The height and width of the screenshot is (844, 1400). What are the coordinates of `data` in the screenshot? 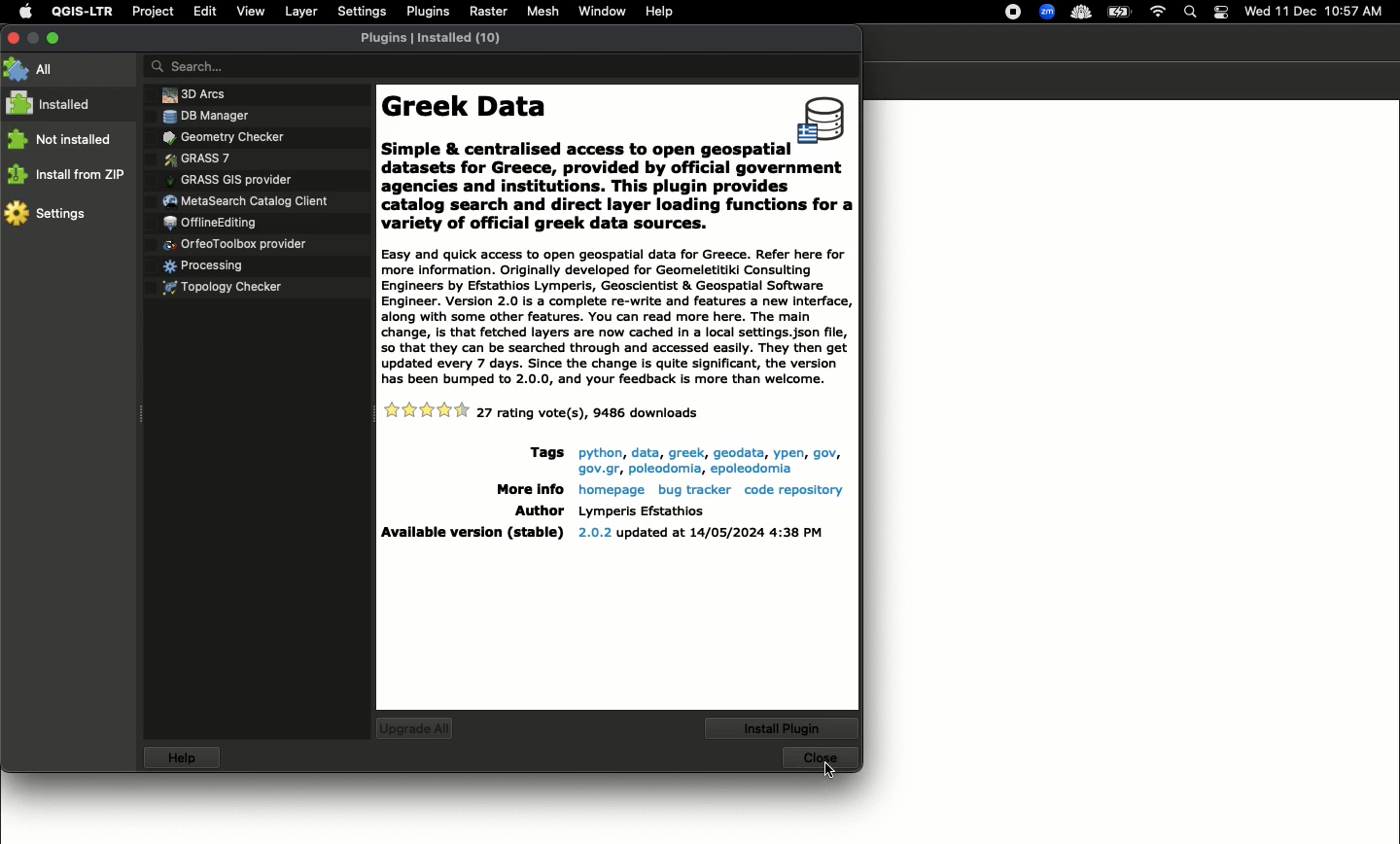 It's located at (645, 451).